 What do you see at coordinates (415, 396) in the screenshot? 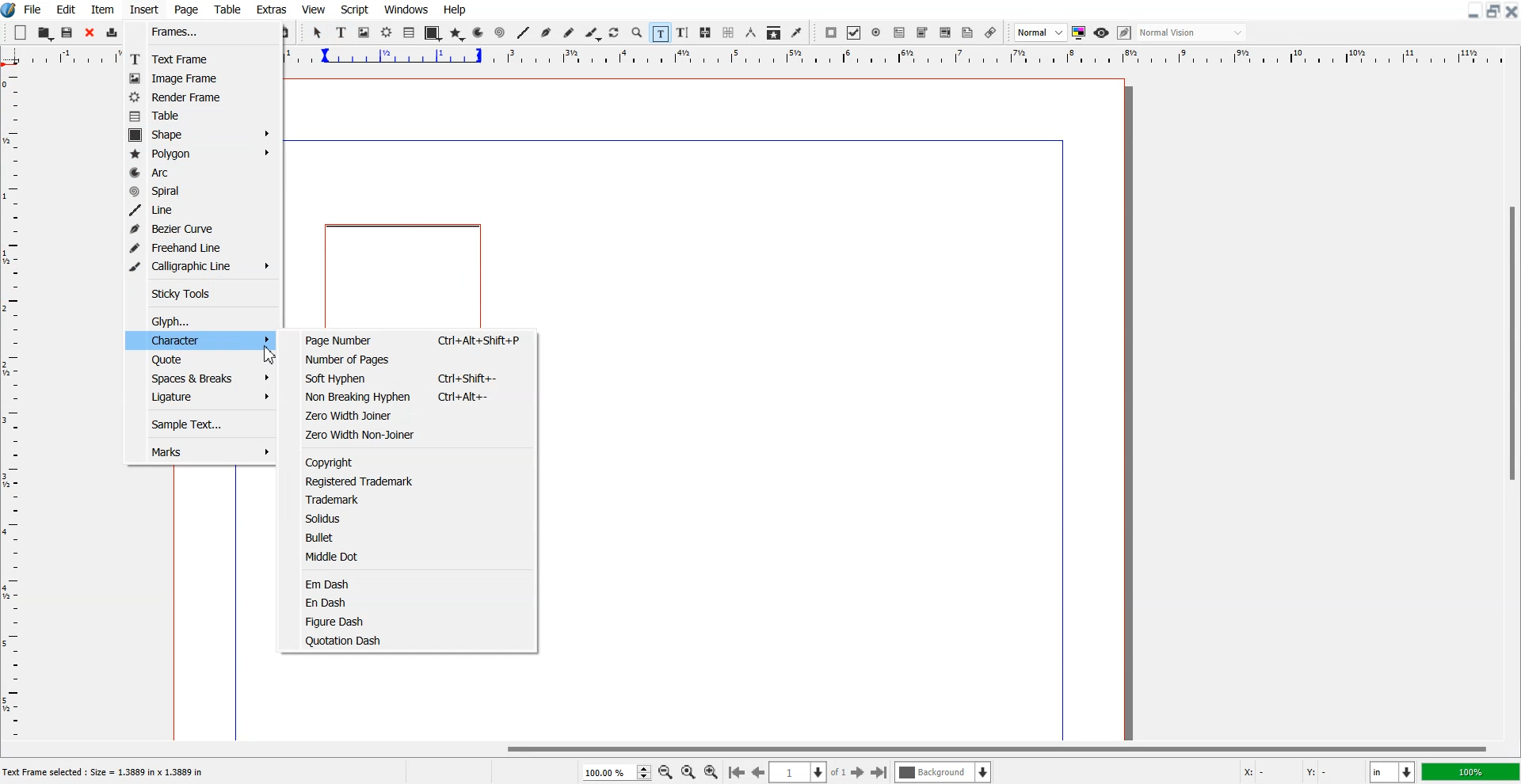
I see `Non Breaking Hyphen` at bounding box center [415, 396].